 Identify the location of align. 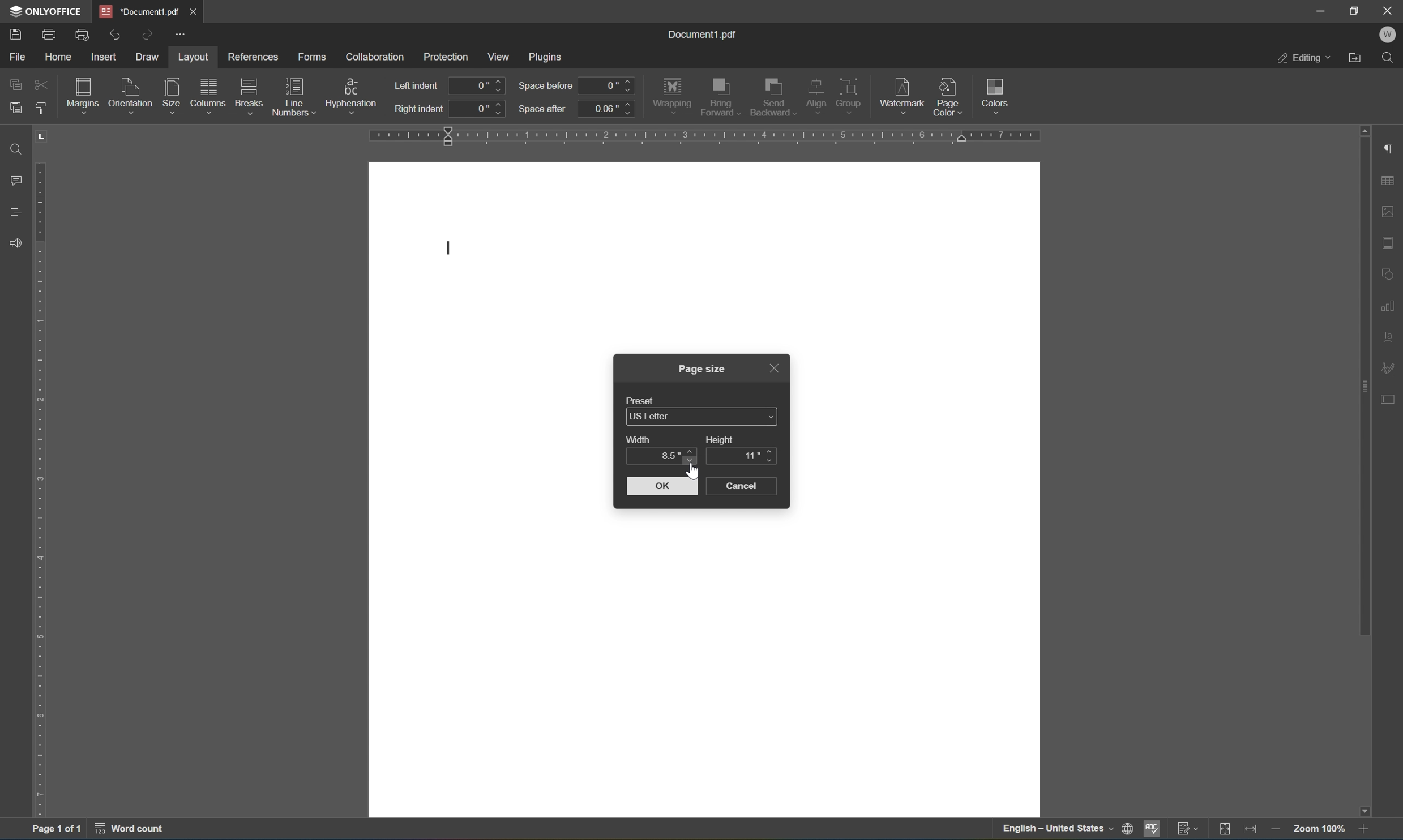
(816, 96).